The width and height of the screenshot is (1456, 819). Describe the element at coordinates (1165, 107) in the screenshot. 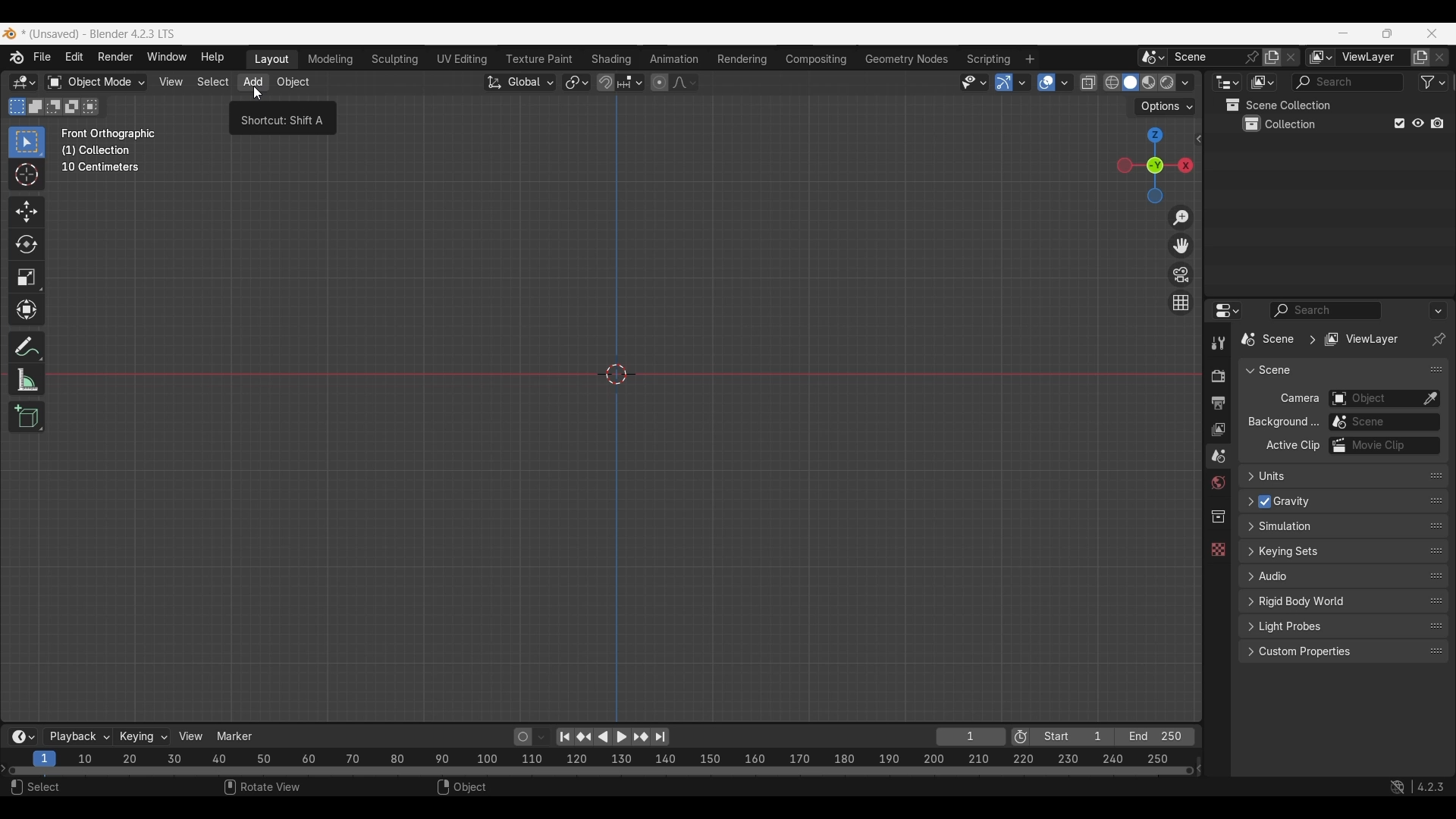

I see `Transform options` at that location.